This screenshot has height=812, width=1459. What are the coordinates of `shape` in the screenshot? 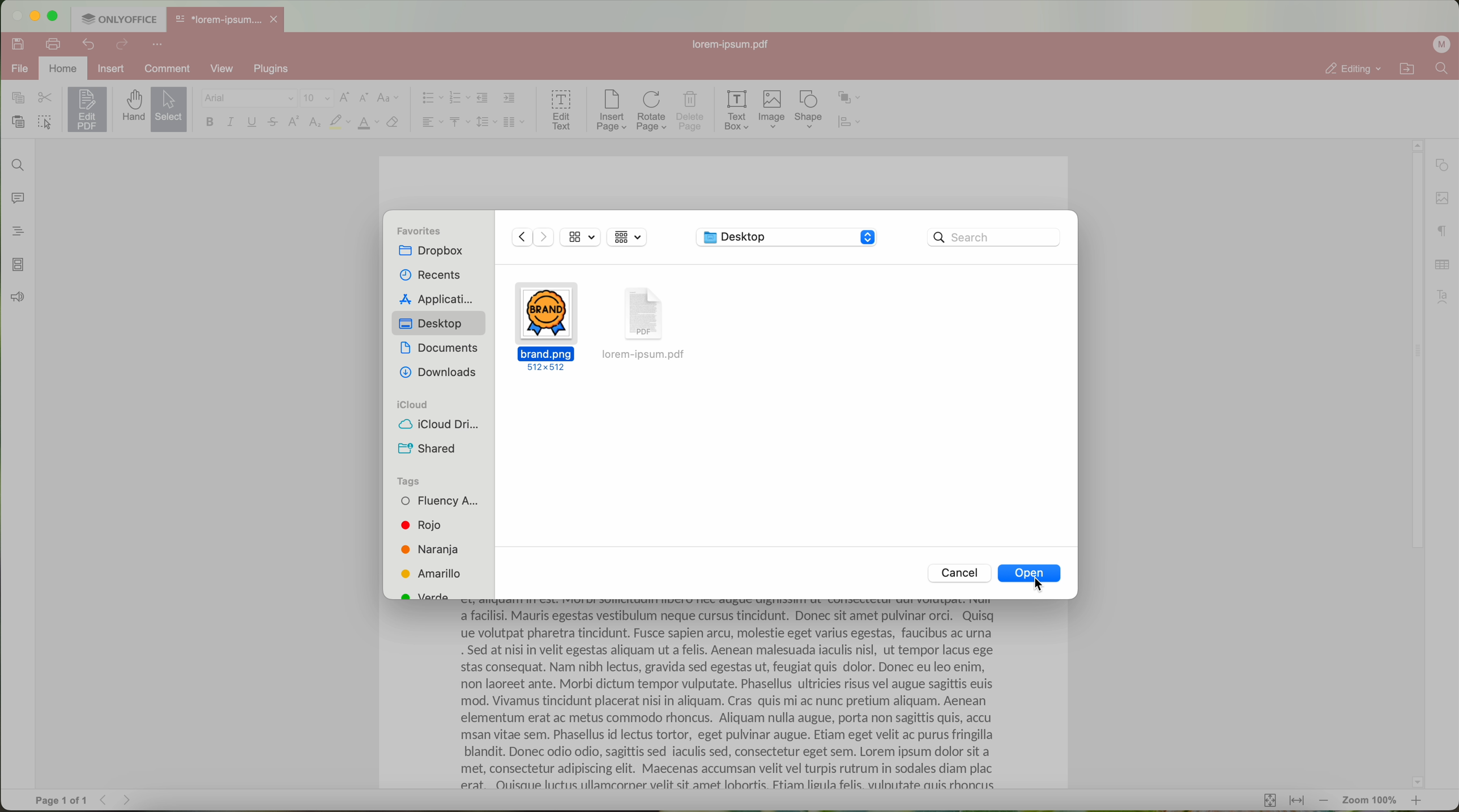 It's located at (809, 110).